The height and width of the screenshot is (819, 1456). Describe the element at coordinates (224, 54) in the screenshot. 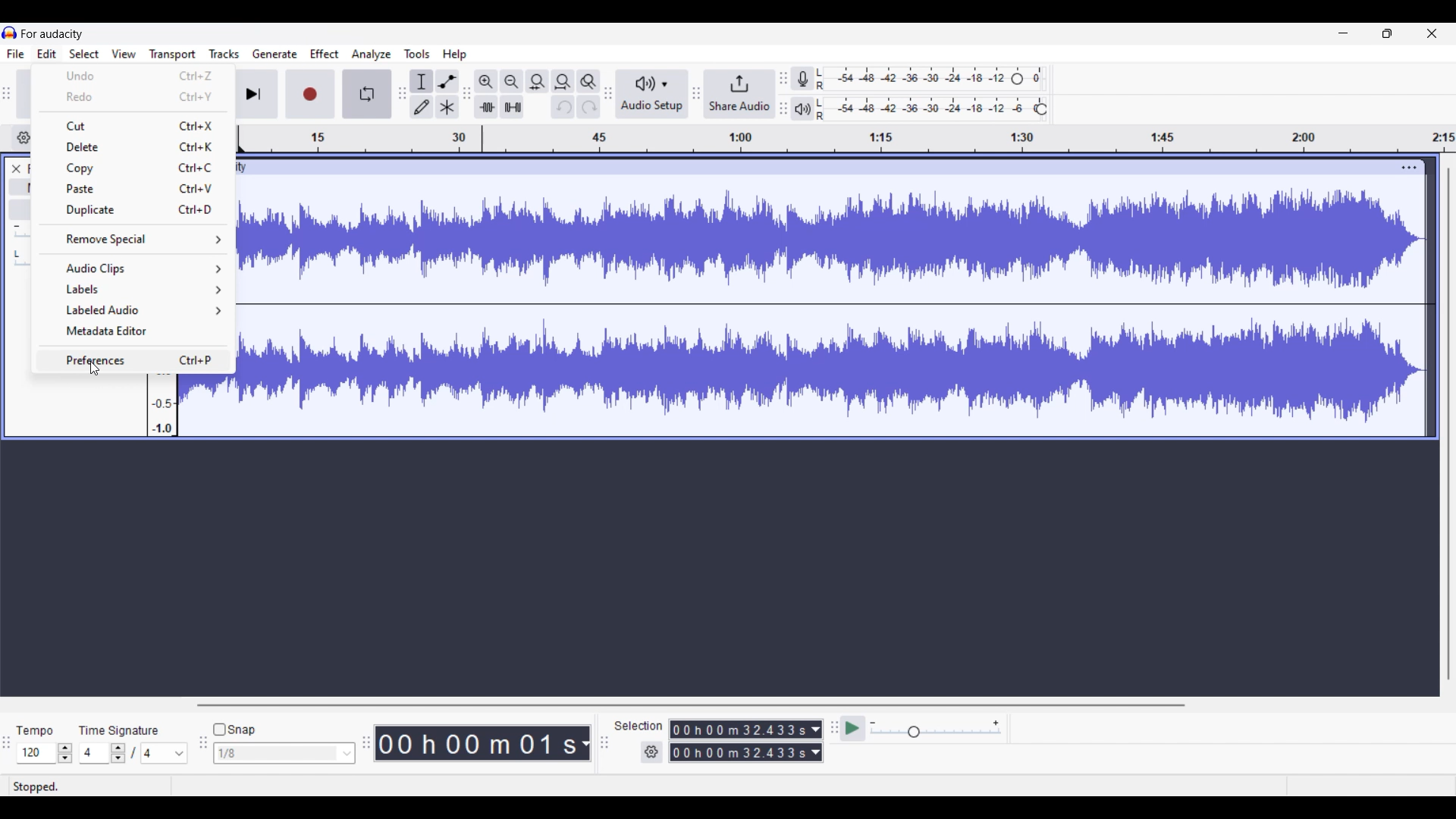

I see `Tracks menu` at that location.